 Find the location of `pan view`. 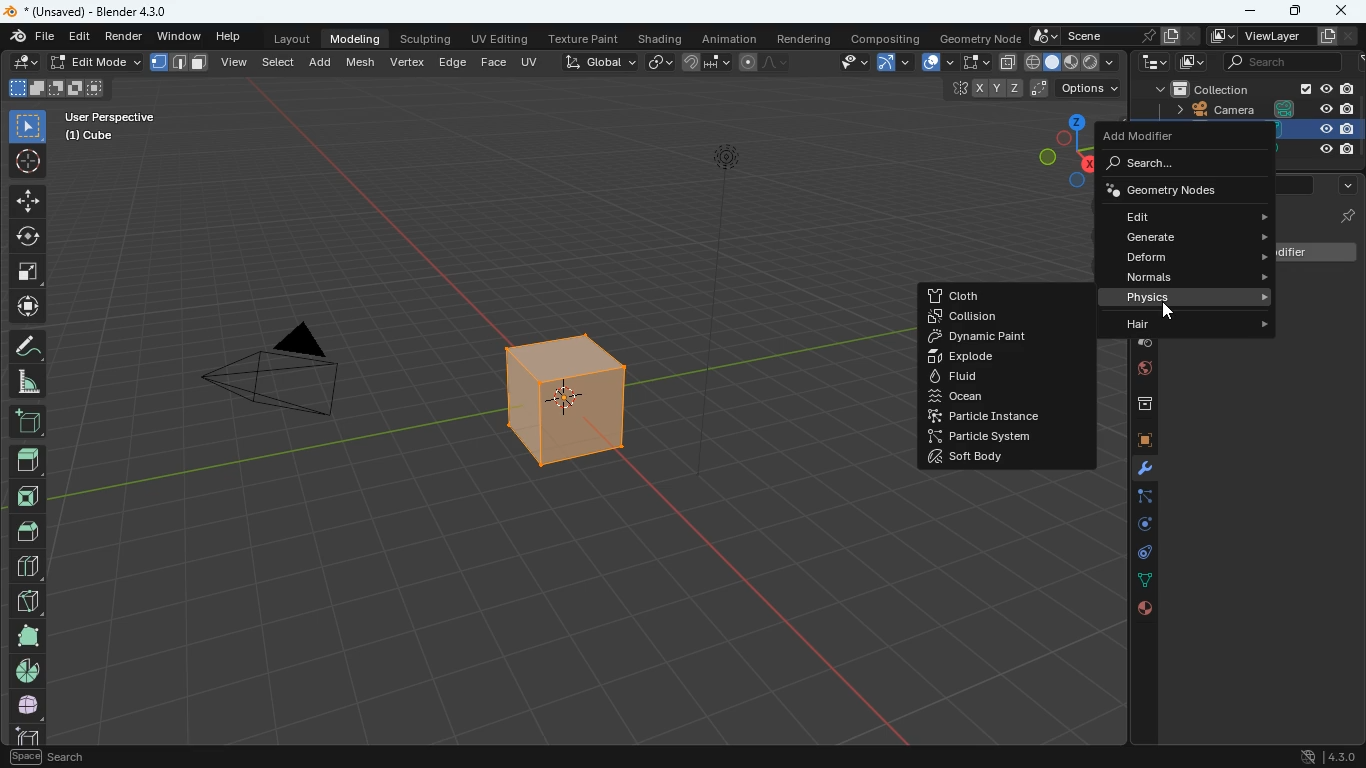

pan view is located at coordinates (38, 756).